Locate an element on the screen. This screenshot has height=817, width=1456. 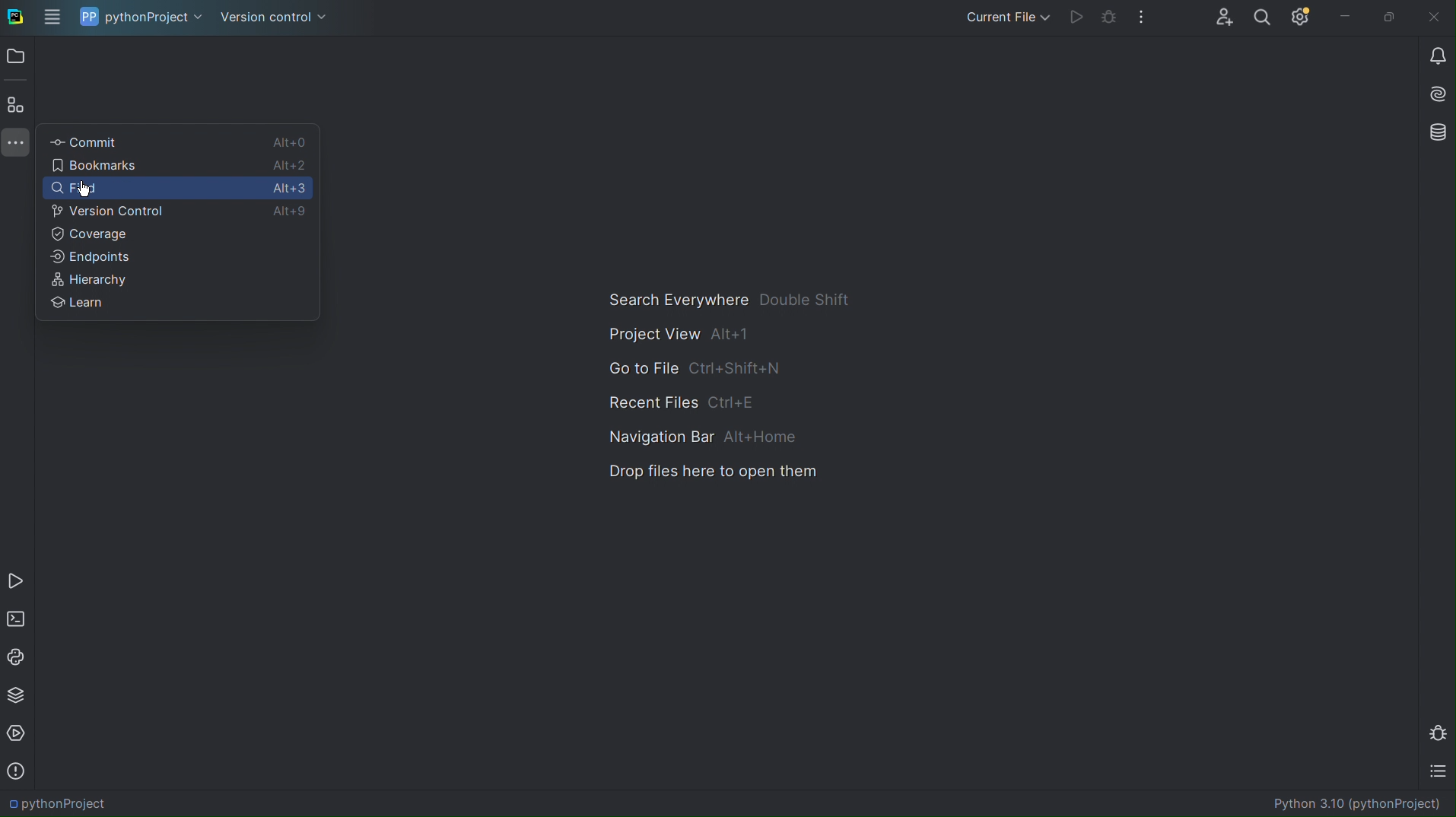
Services is located at coordinates (18, 733).